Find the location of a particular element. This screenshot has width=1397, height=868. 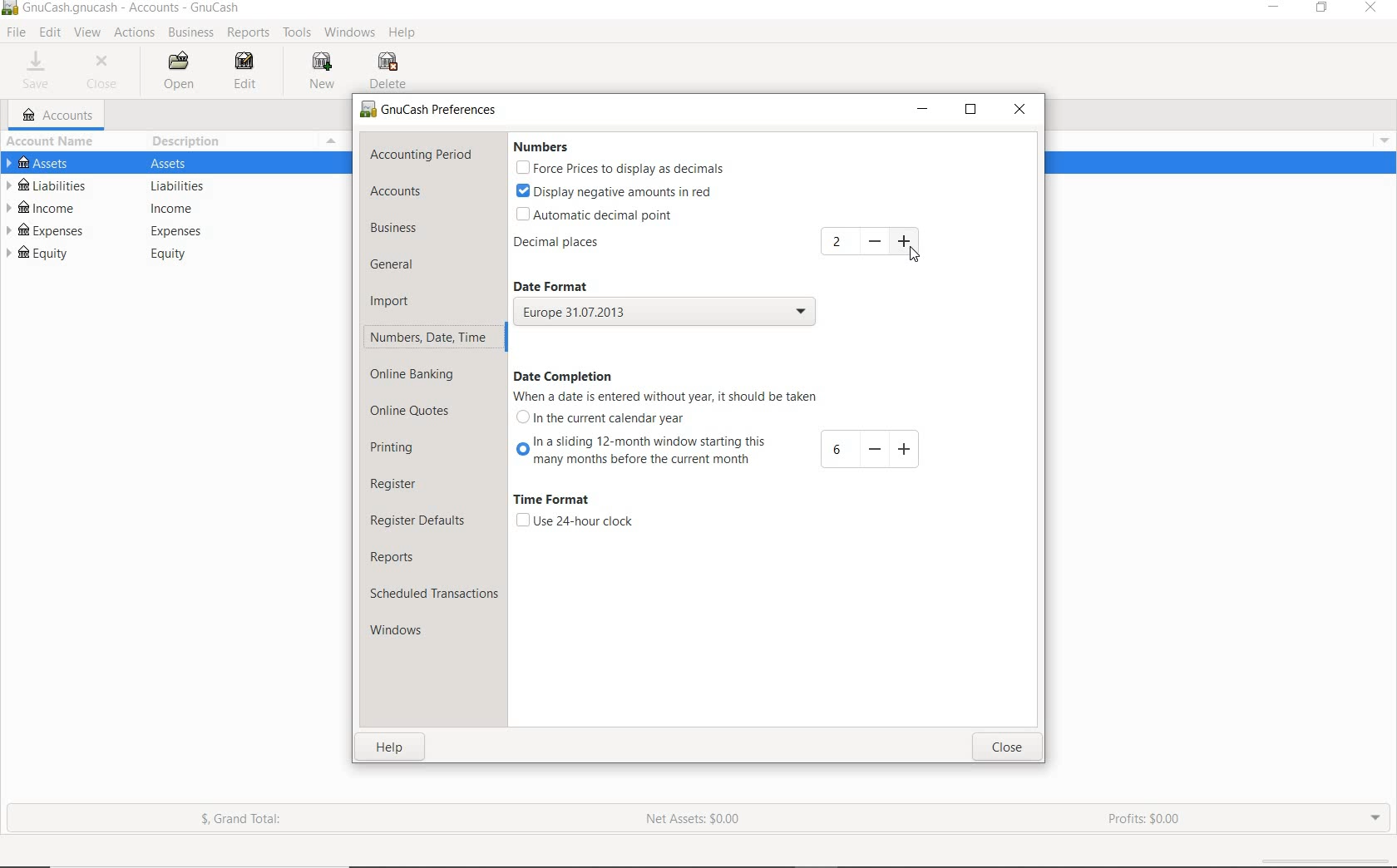

DELETE is located at coordinates (390, 71).